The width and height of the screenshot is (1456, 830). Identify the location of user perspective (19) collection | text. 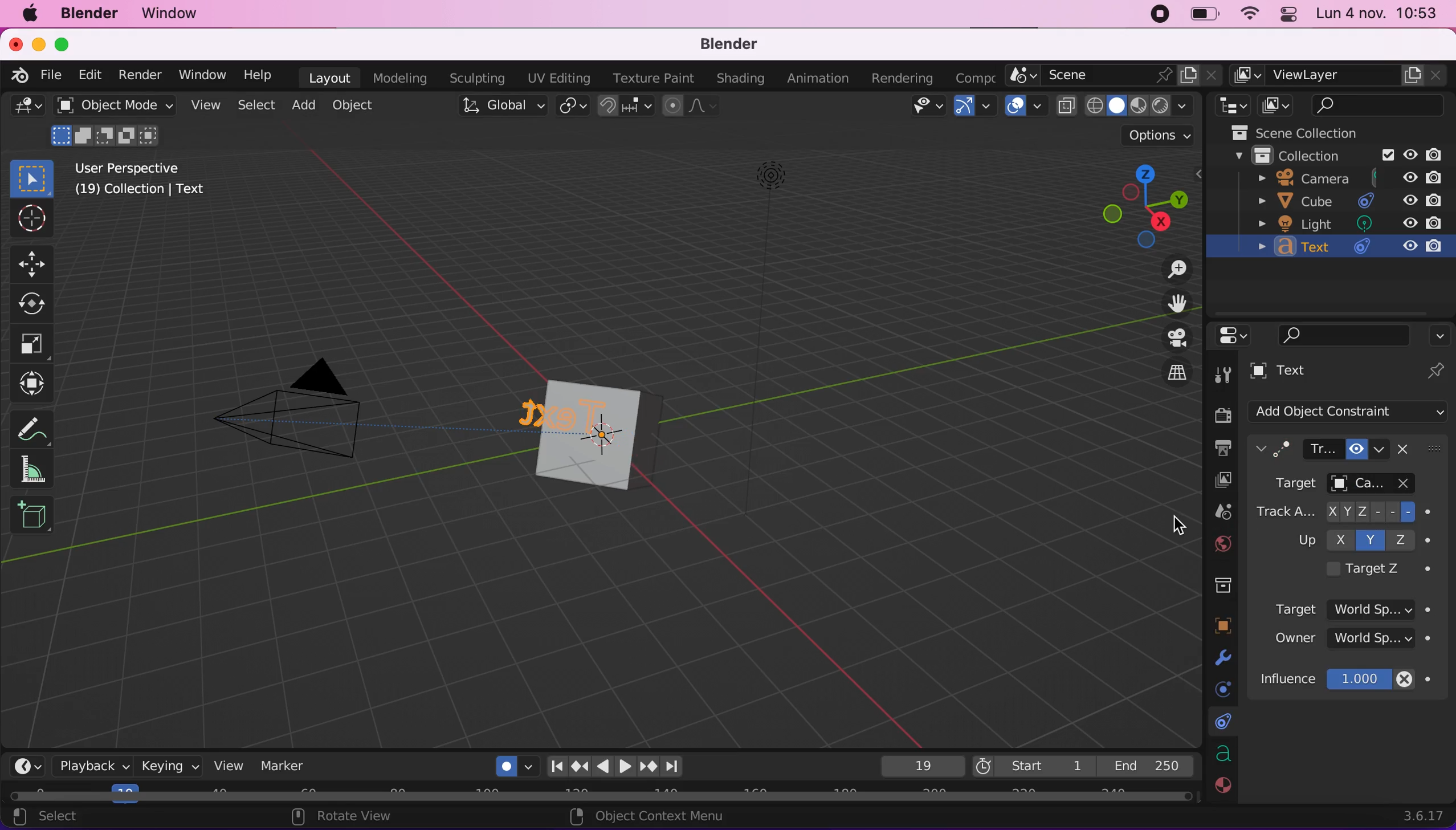
(140, 184).